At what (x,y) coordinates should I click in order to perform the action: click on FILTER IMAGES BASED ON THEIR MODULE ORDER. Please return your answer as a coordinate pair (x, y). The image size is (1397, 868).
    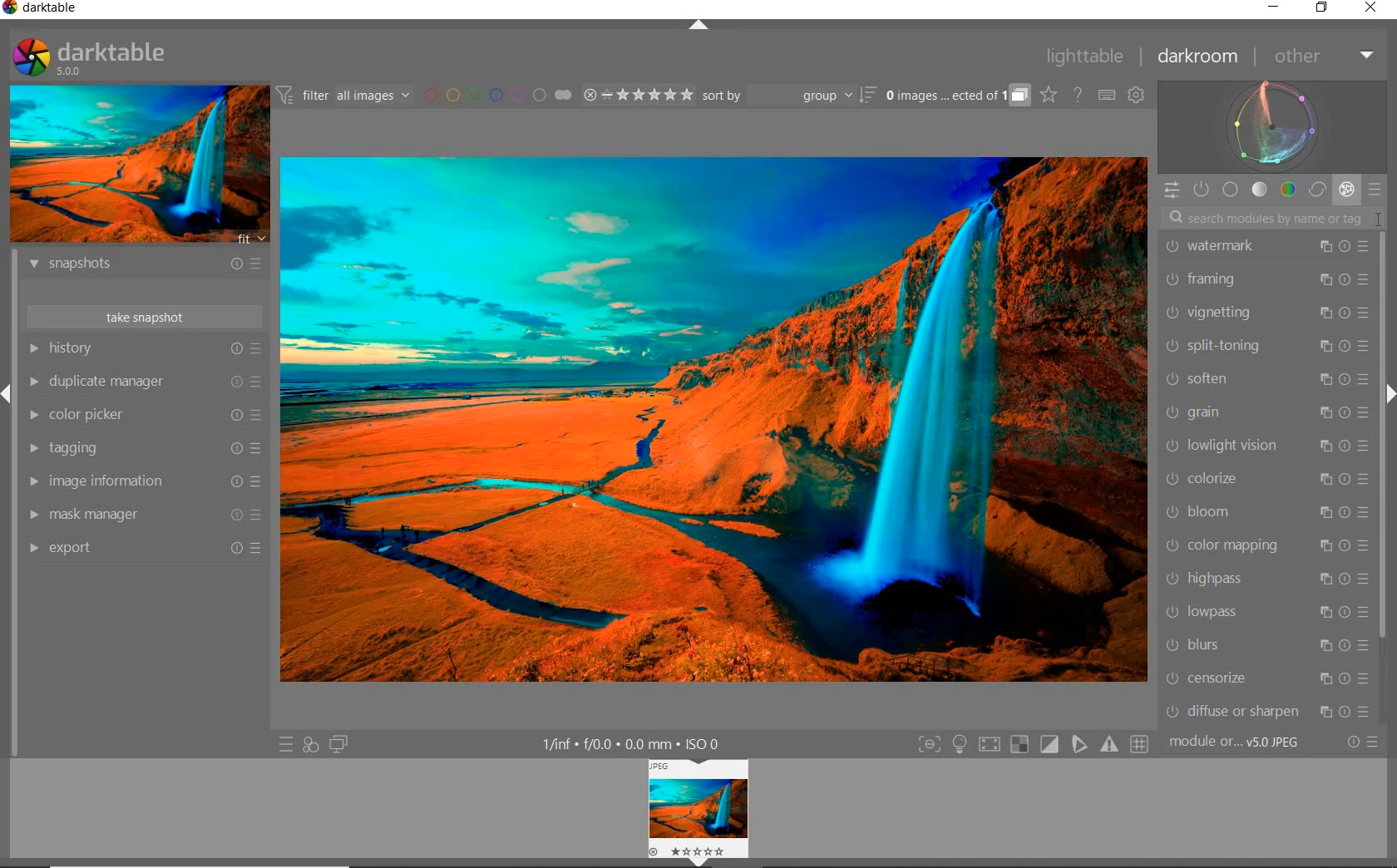
    Looking at the image, I should click on (343, 96).